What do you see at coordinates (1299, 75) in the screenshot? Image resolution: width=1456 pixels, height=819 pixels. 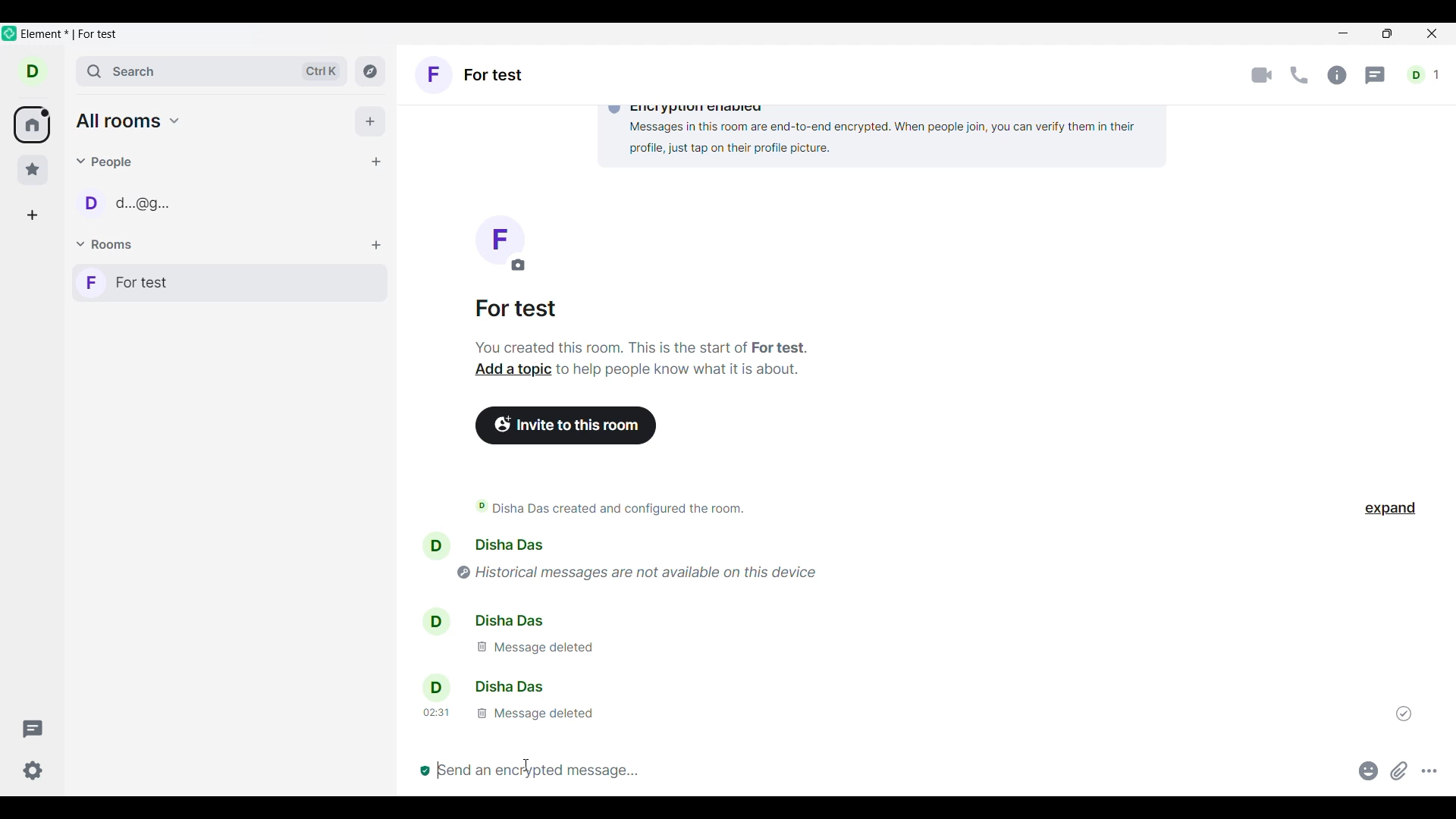 I see `Call` at bounding box center [1299, 75].